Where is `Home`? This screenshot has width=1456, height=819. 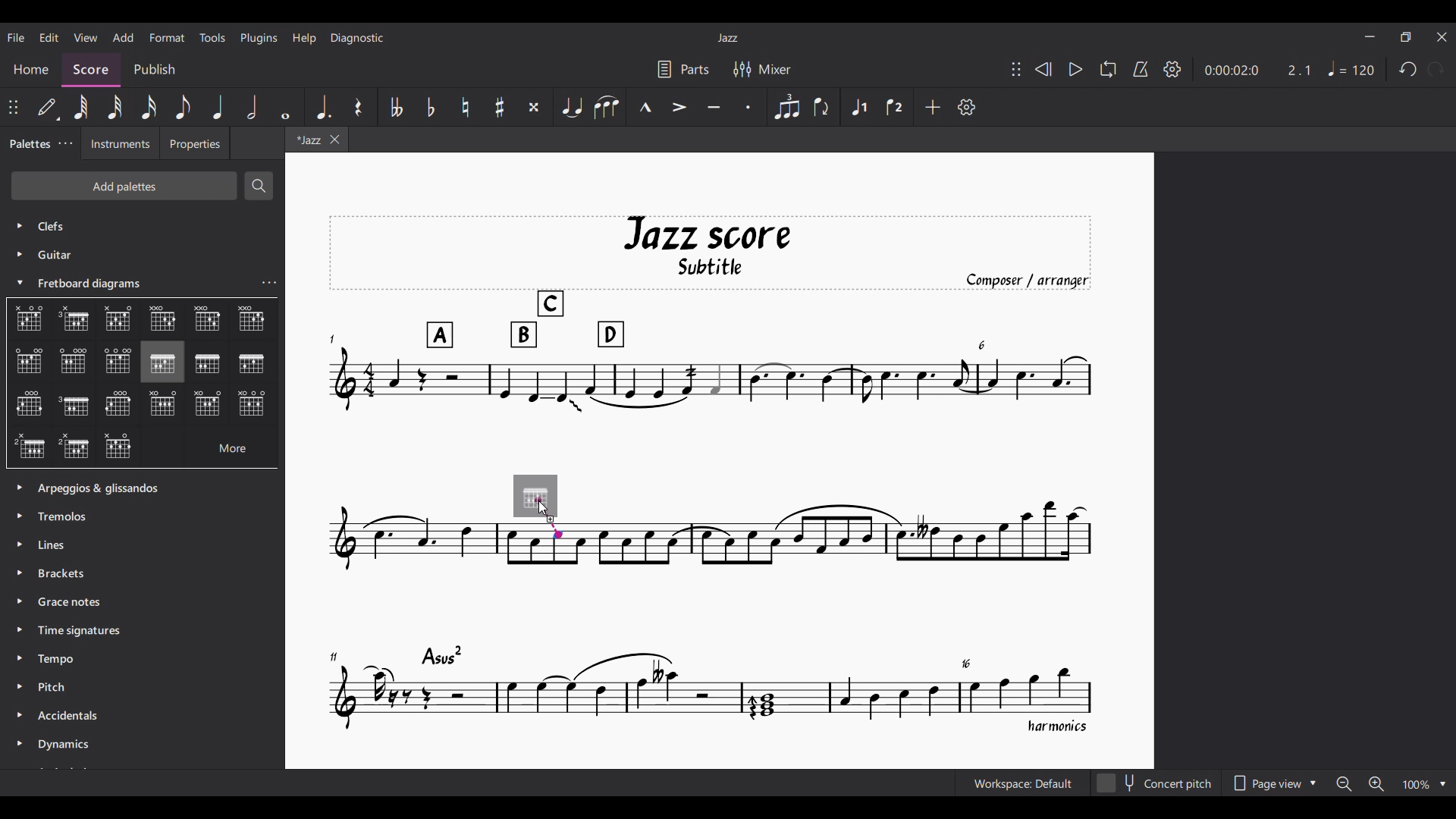 Home is located at coordinates (32, 67).